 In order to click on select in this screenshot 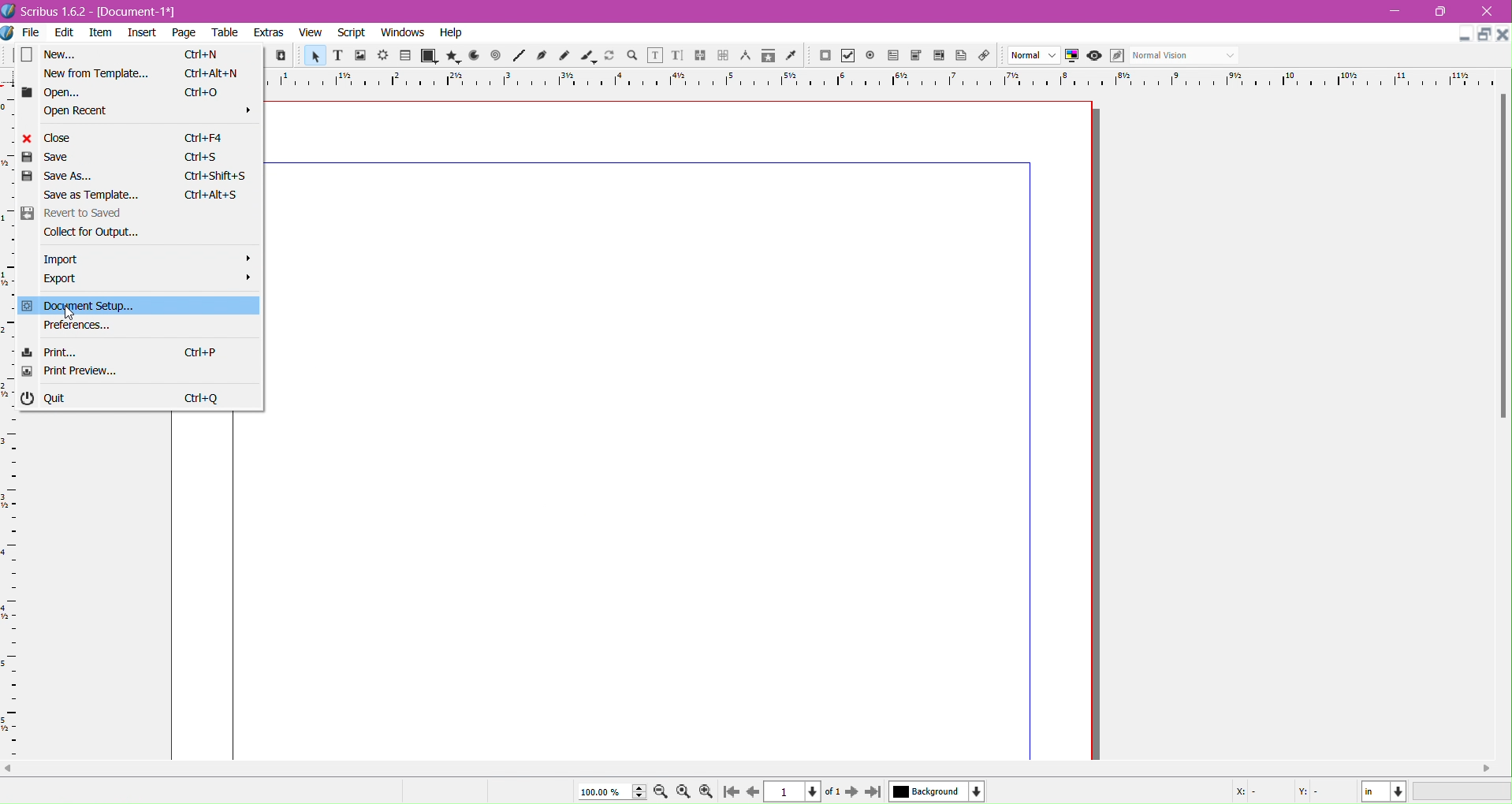, I will do `click(313, 58)`.